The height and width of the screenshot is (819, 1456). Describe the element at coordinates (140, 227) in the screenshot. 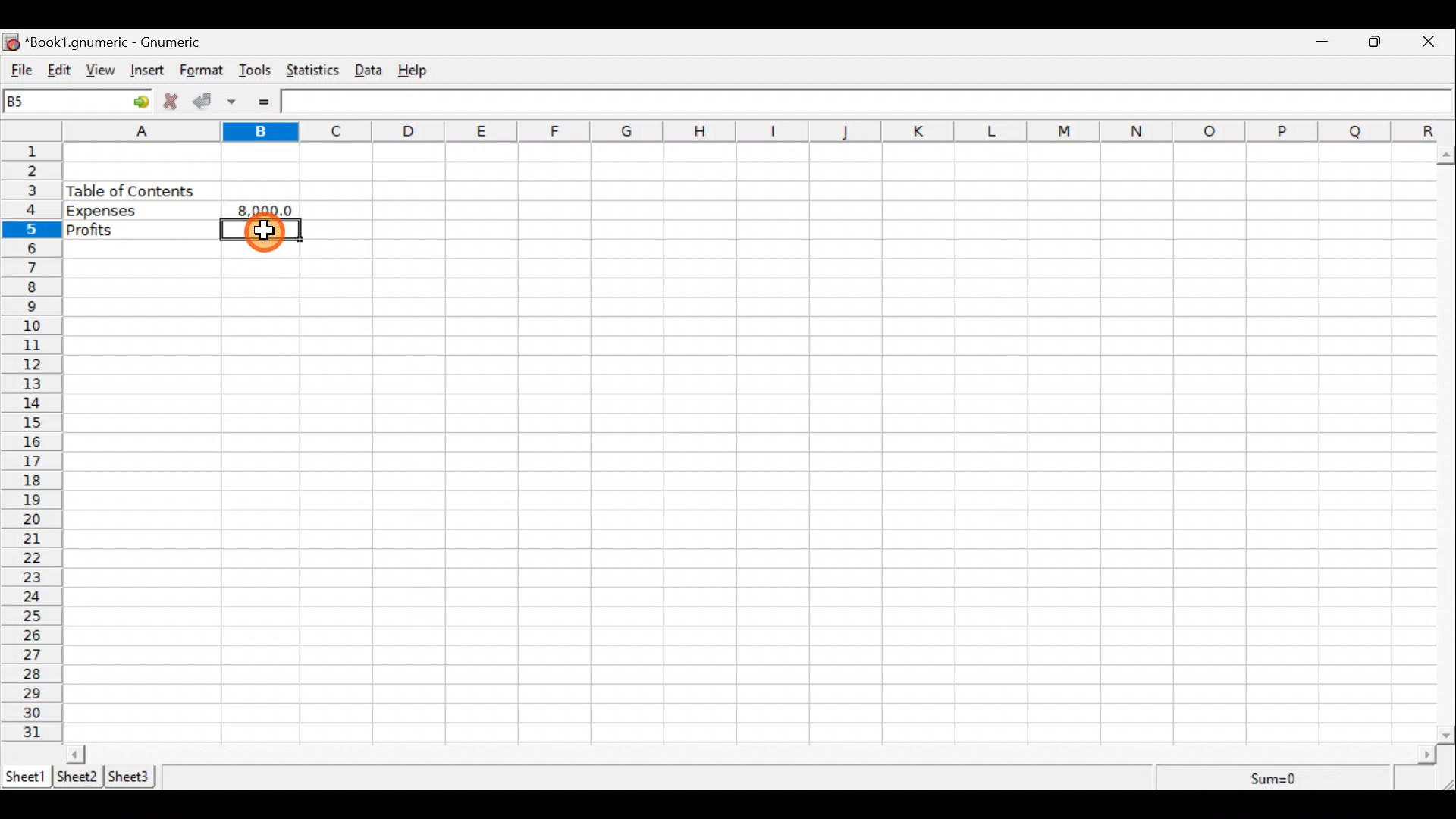

I see `Profits` at that location.